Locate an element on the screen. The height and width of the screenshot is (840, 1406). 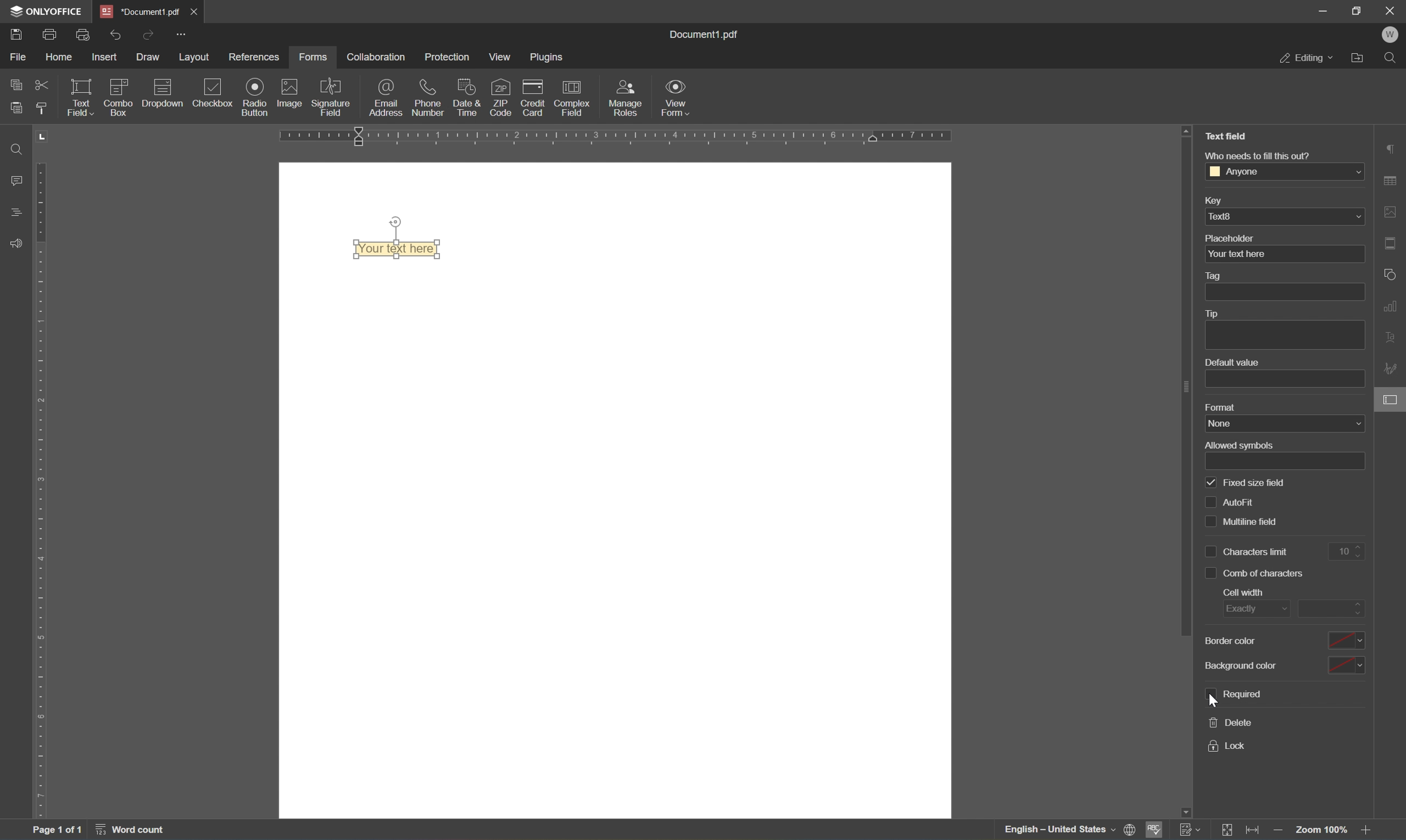
email addresses is located at coordinates (387, 97).